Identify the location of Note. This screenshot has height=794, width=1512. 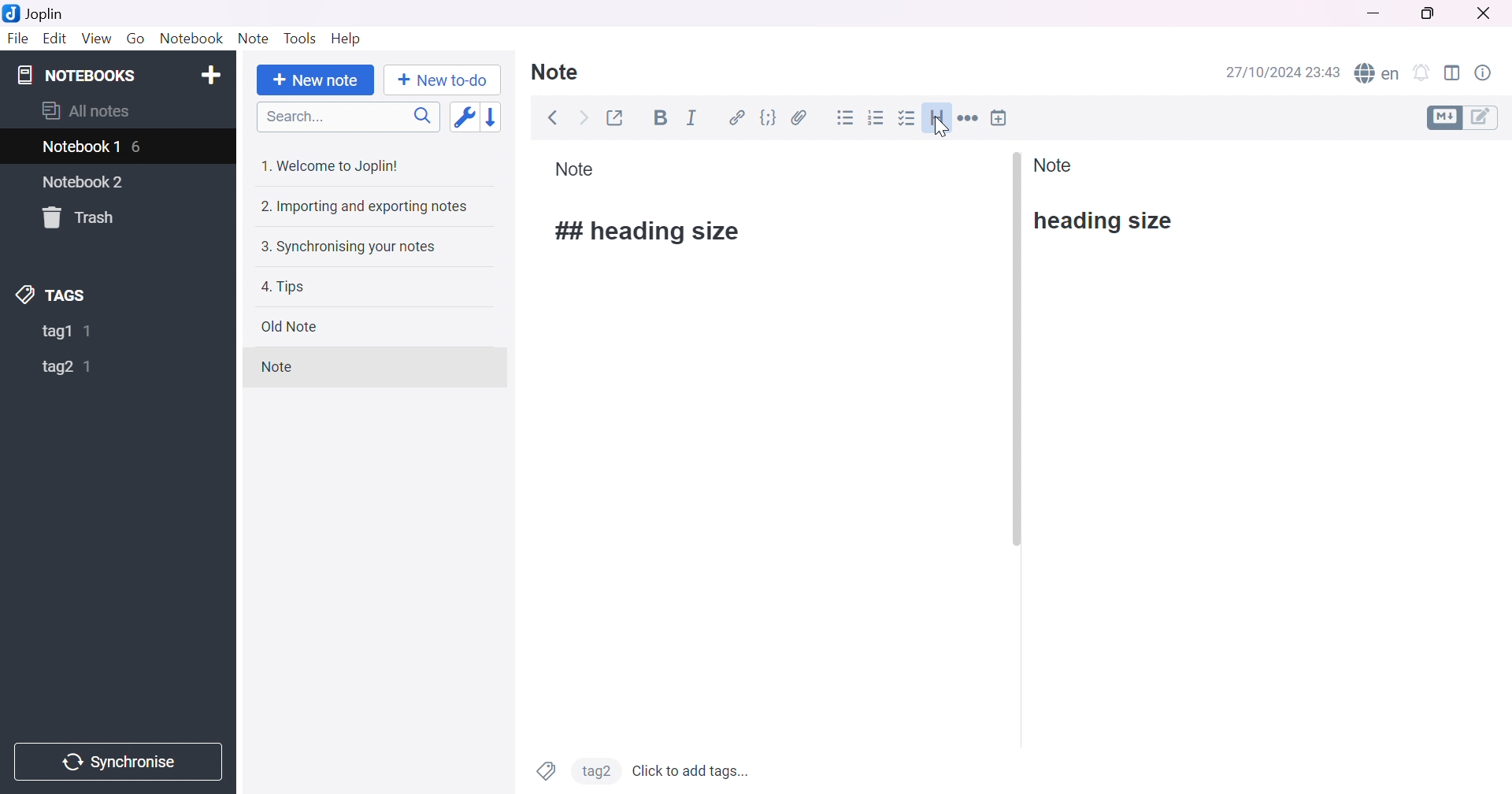
(575, 169).